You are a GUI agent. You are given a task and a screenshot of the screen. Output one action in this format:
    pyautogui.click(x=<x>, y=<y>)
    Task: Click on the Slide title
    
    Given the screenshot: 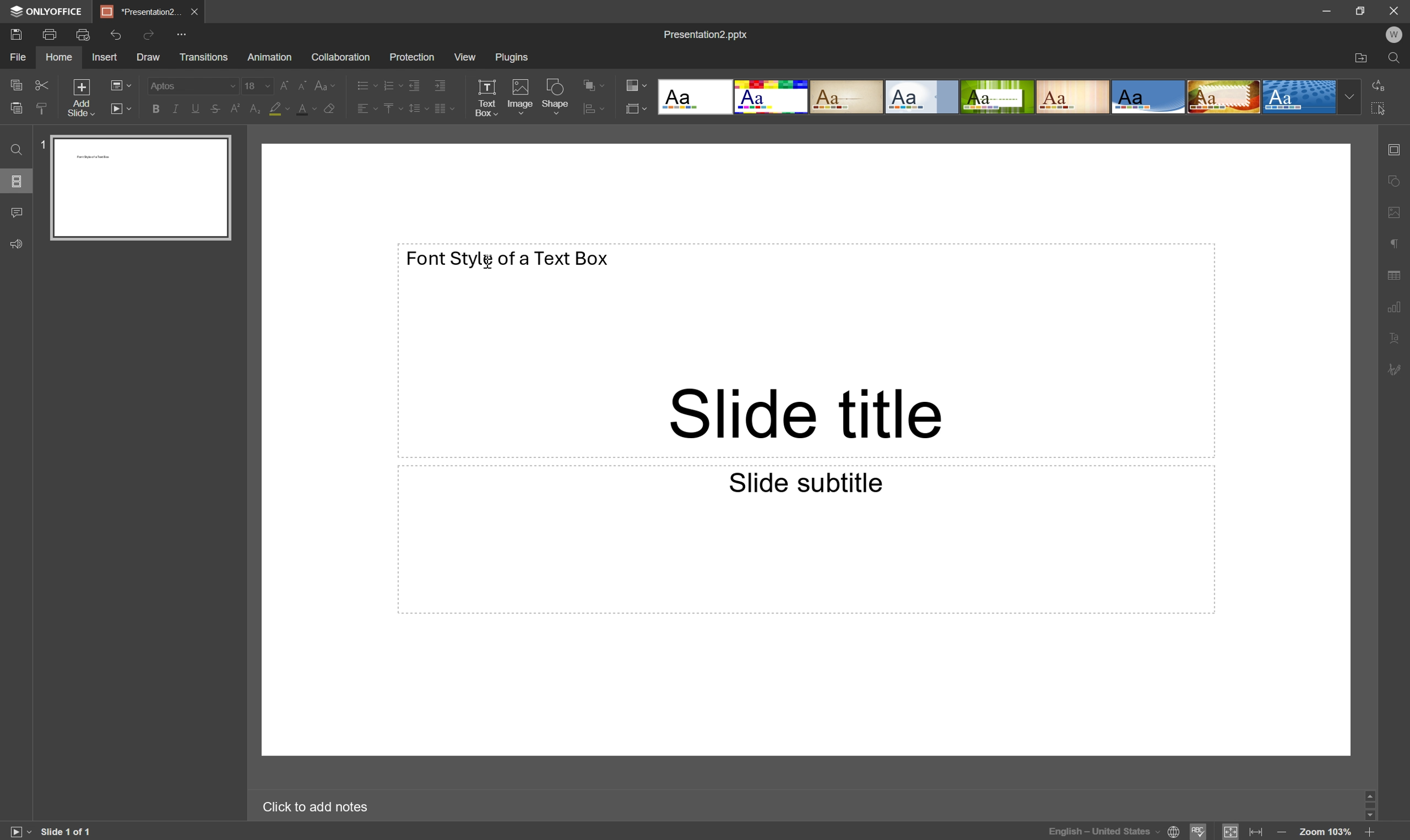 What is the action you would take?
    pyautogui.click(x=808, y=416)
    